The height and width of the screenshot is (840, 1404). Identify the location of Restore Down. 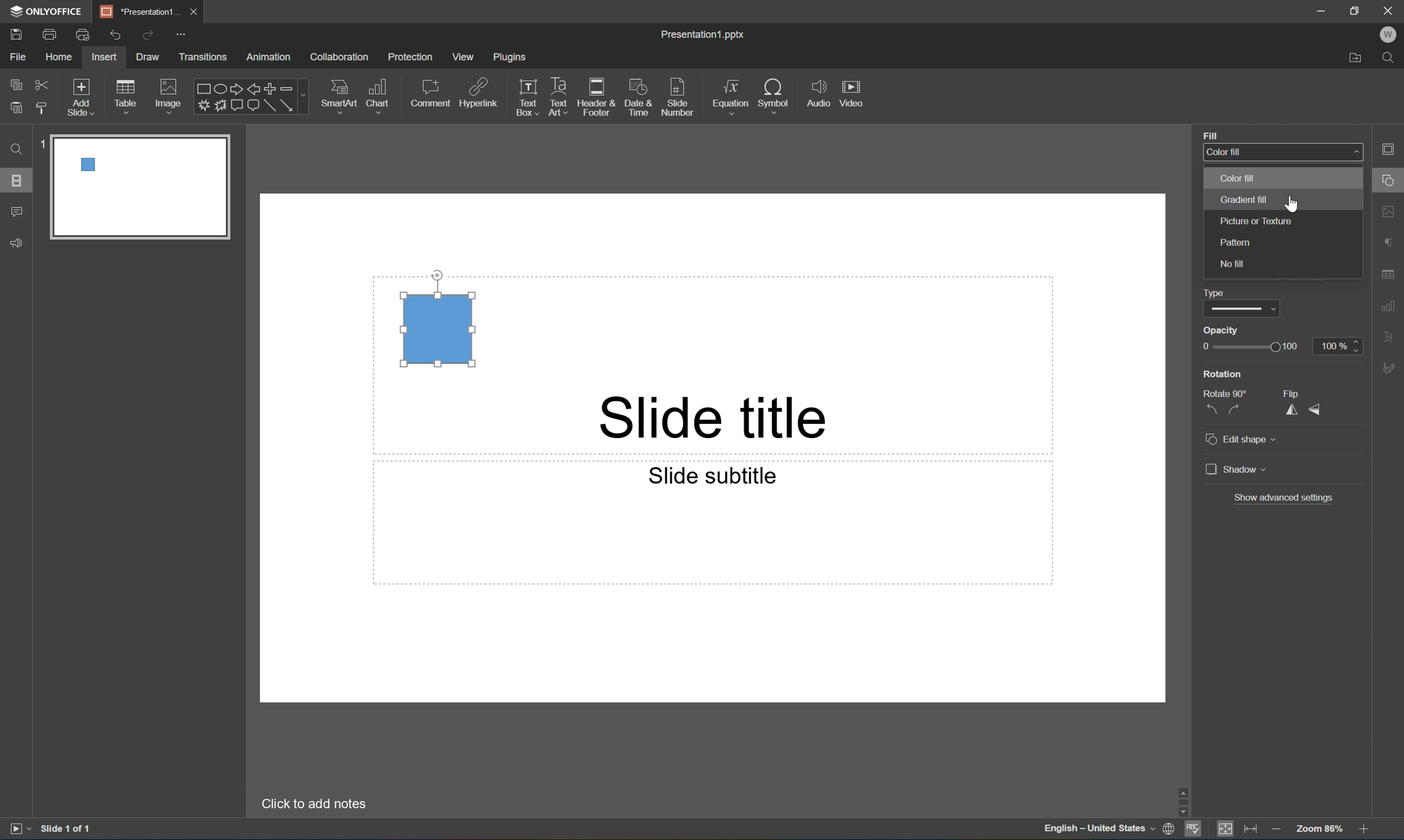
(1356, 8).